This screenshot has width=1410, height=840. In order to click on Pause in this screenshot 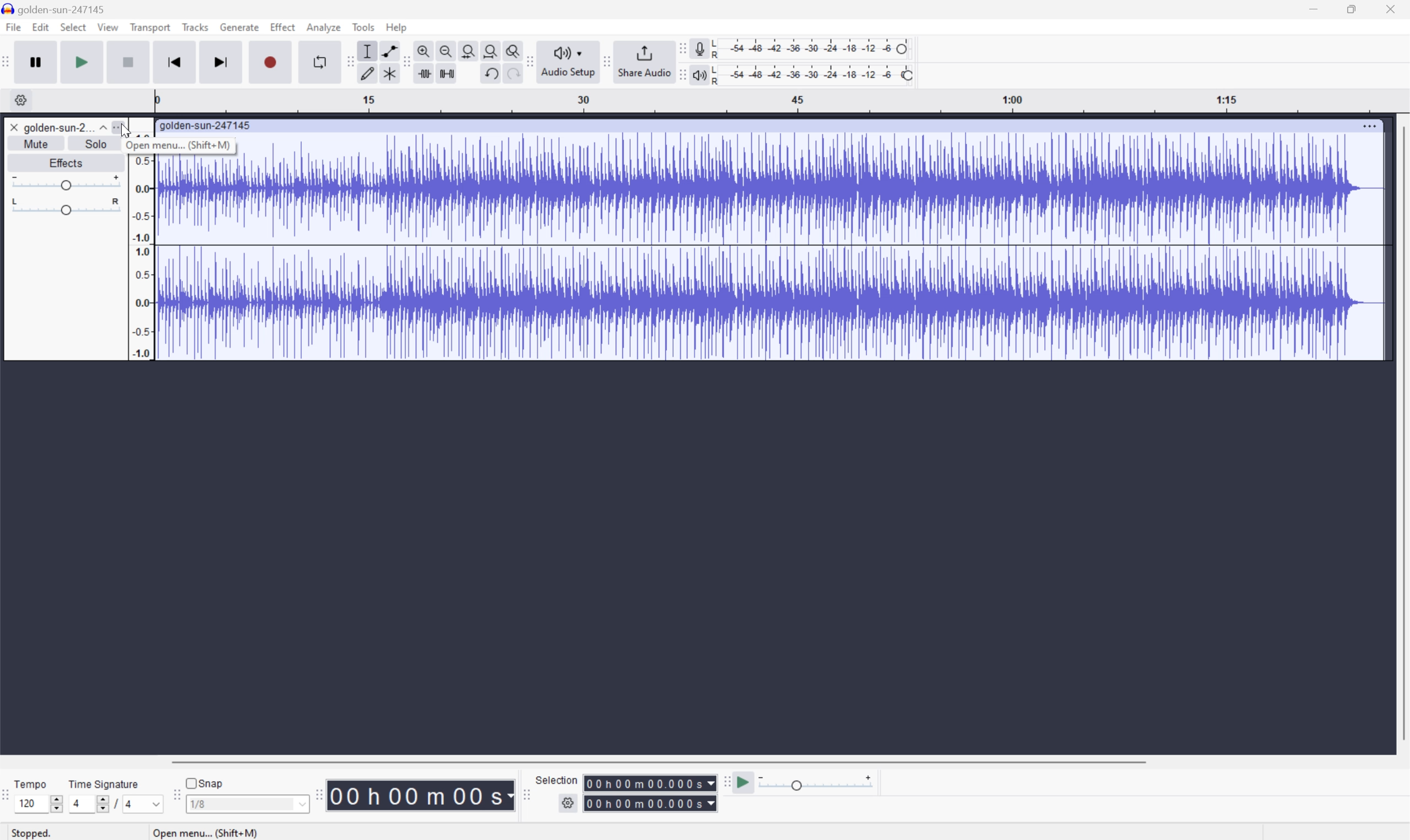, I will do `click(40, 62)`.